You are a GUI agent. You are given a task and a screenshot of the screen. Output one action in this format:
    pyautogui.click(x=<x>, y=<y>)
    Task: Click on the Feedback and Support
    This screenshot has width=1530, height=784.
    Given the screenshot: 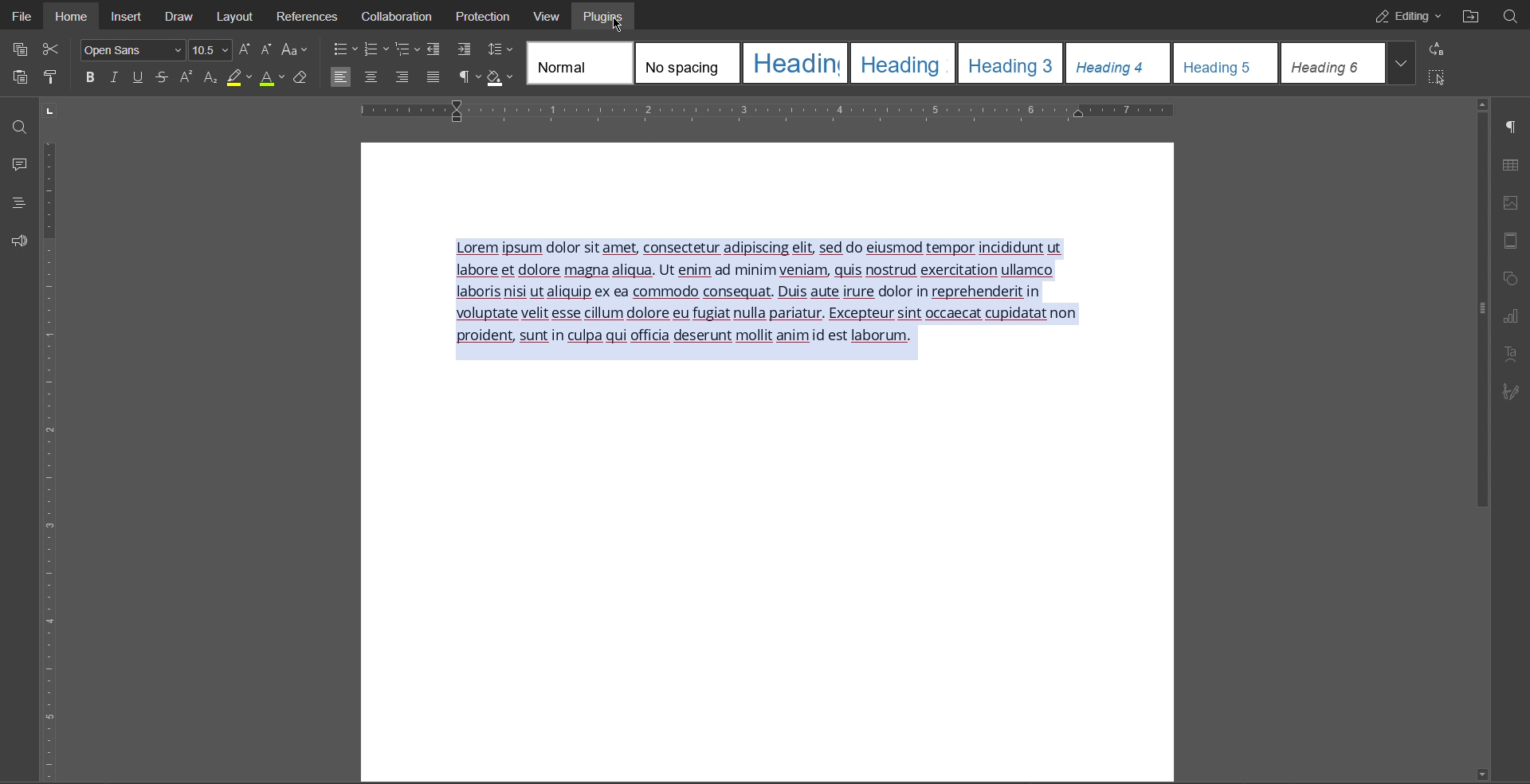 What is the action you would take?
    pyautogui.click(x=14, y=241)
    